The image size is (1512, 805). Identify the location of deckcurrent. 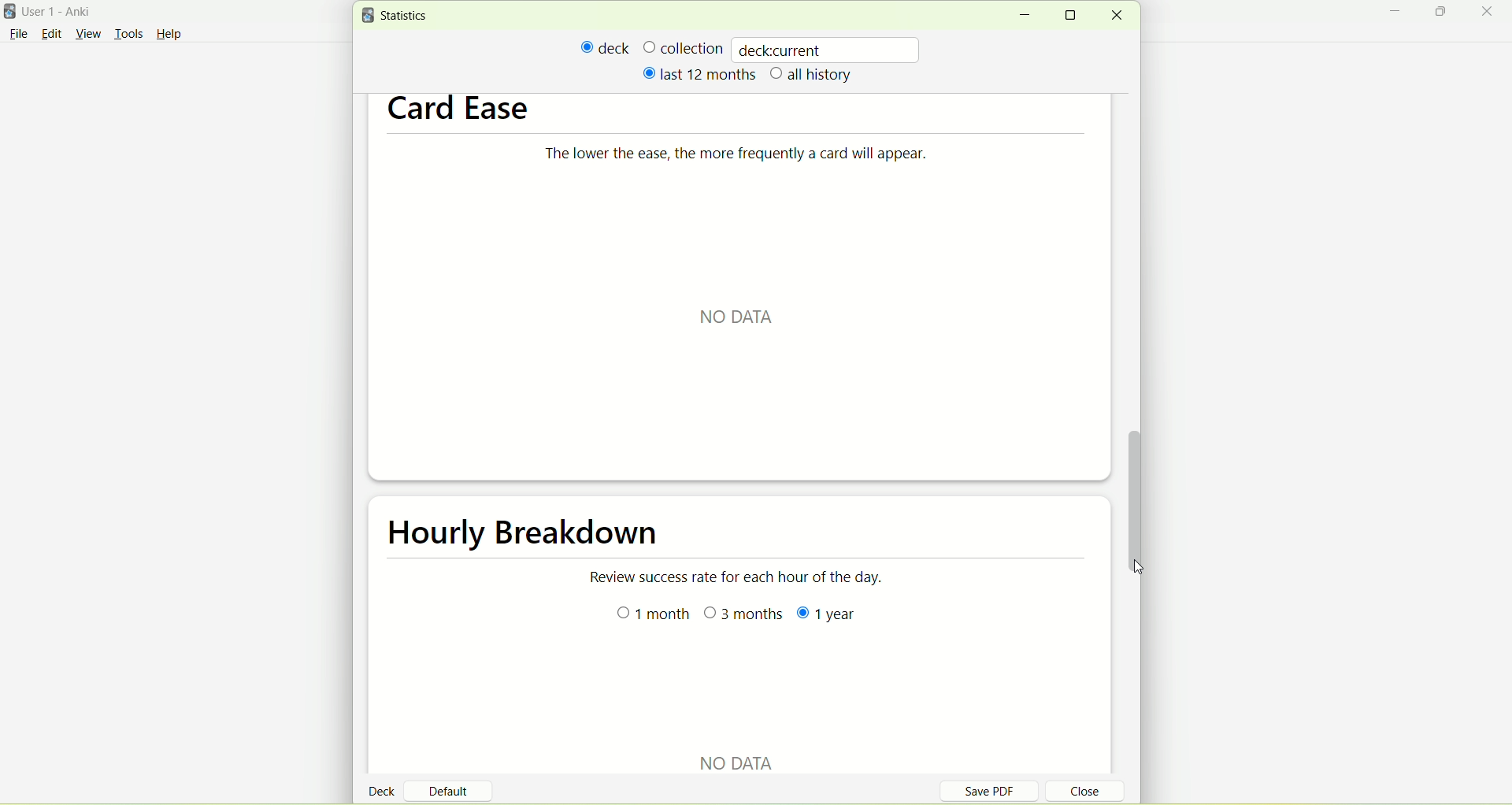
(828, 49).